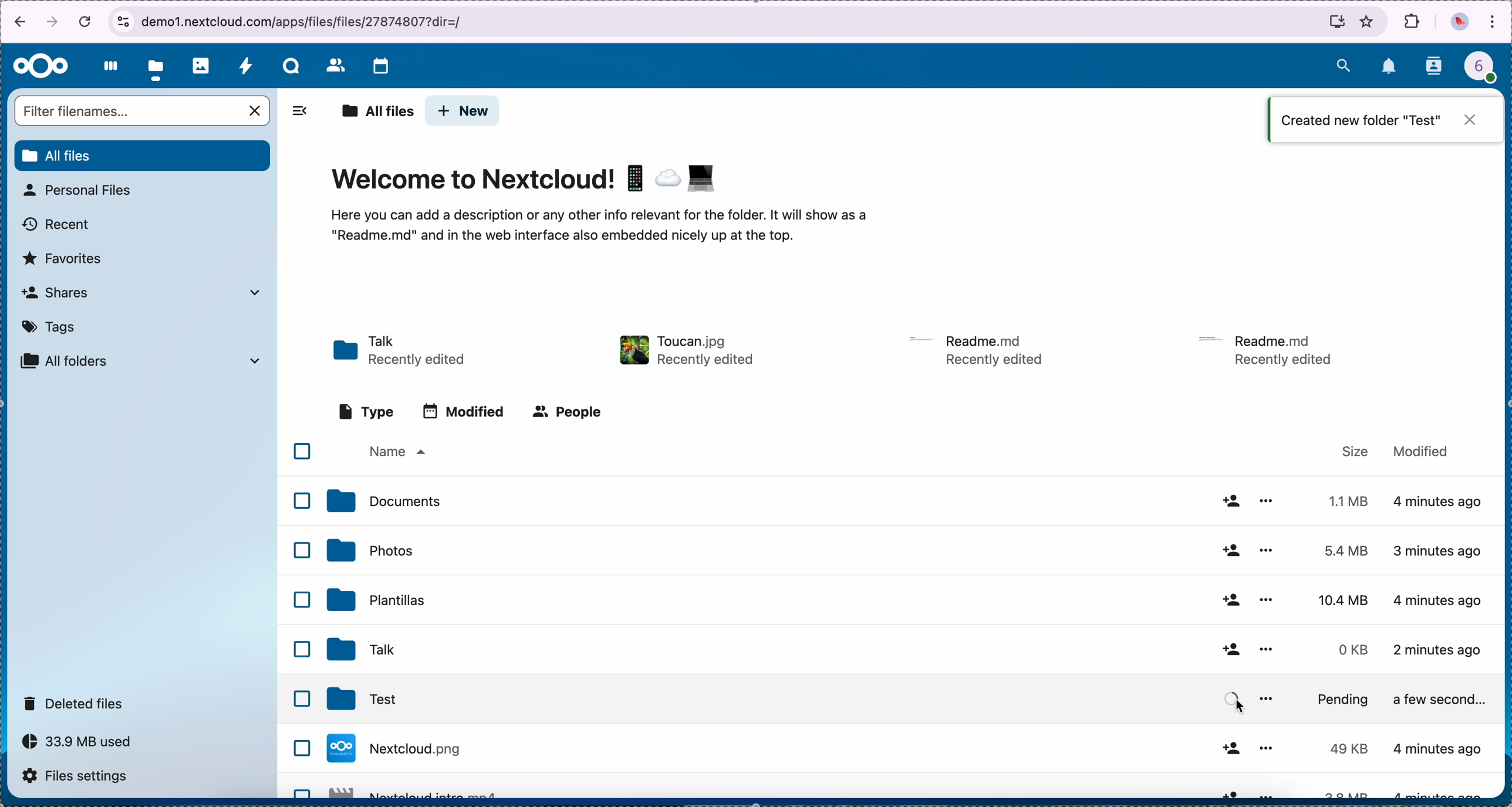 The image size is (1512, 807). Describe the element at coordinates (16, 24) in the screenshot. I see `navigate back` at that location.